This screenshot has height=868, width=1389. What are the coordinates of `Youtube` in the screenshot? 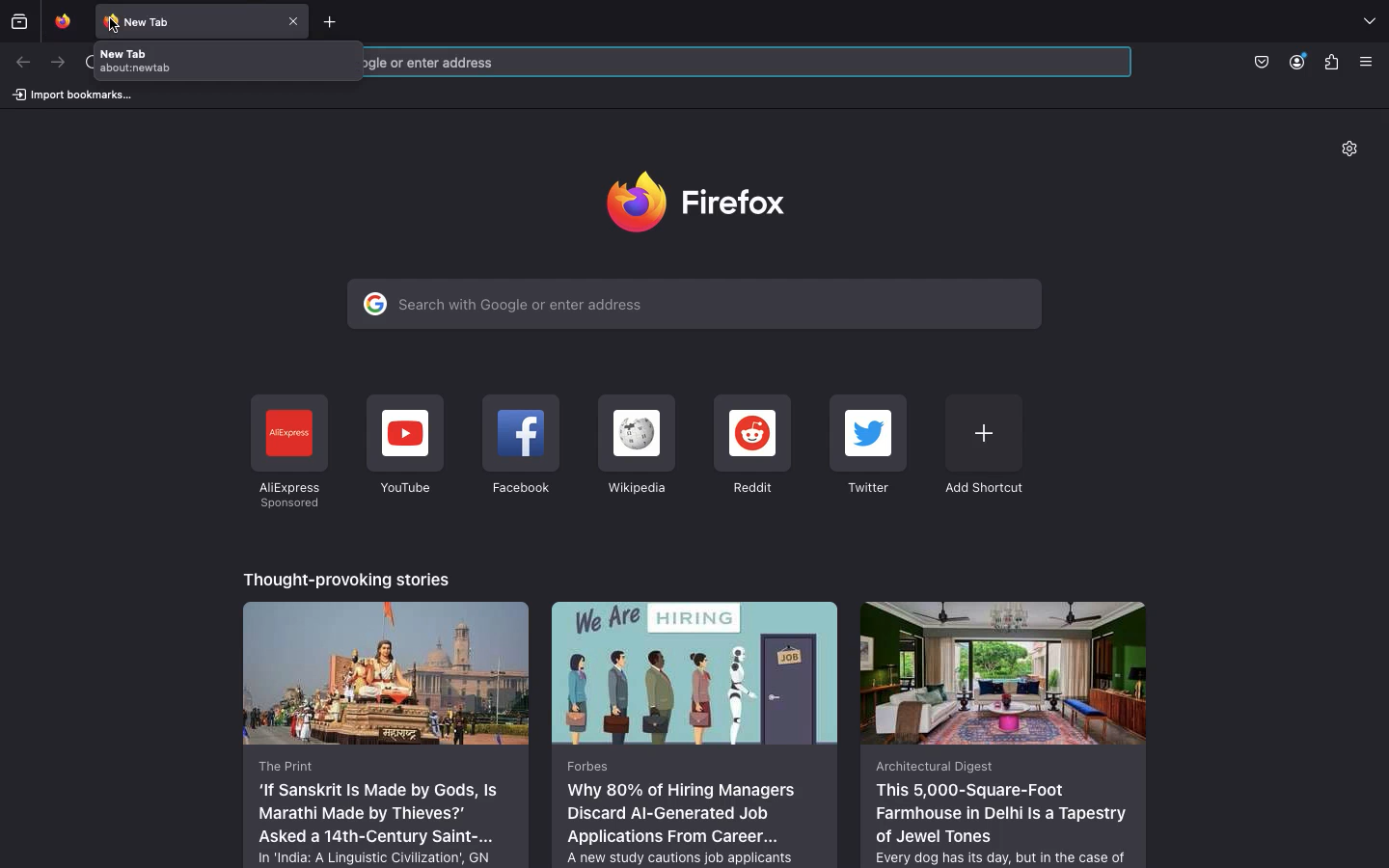 It's located at (404, 446).